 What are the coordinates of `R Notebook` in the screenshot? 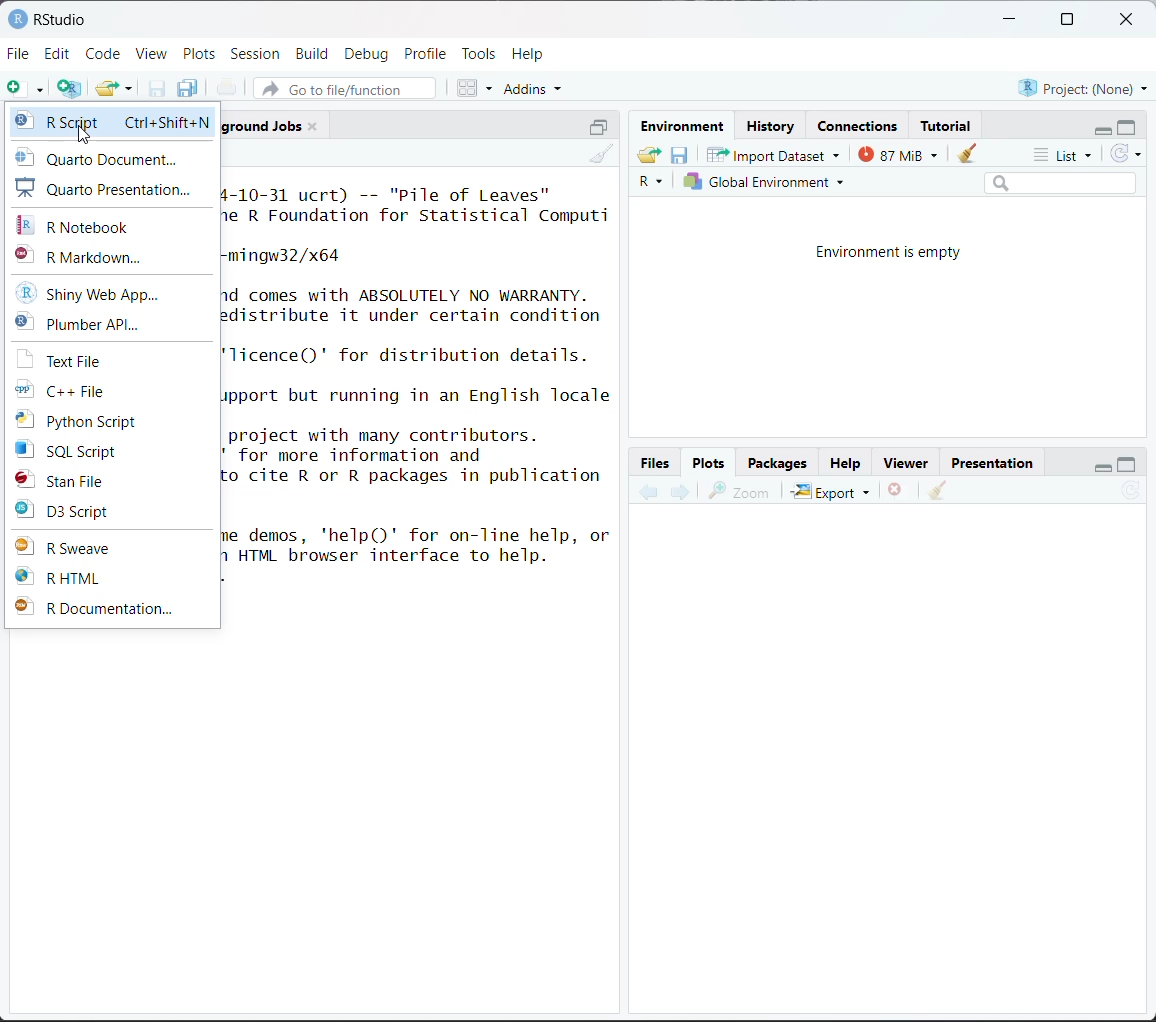 It's located at (75, 226).